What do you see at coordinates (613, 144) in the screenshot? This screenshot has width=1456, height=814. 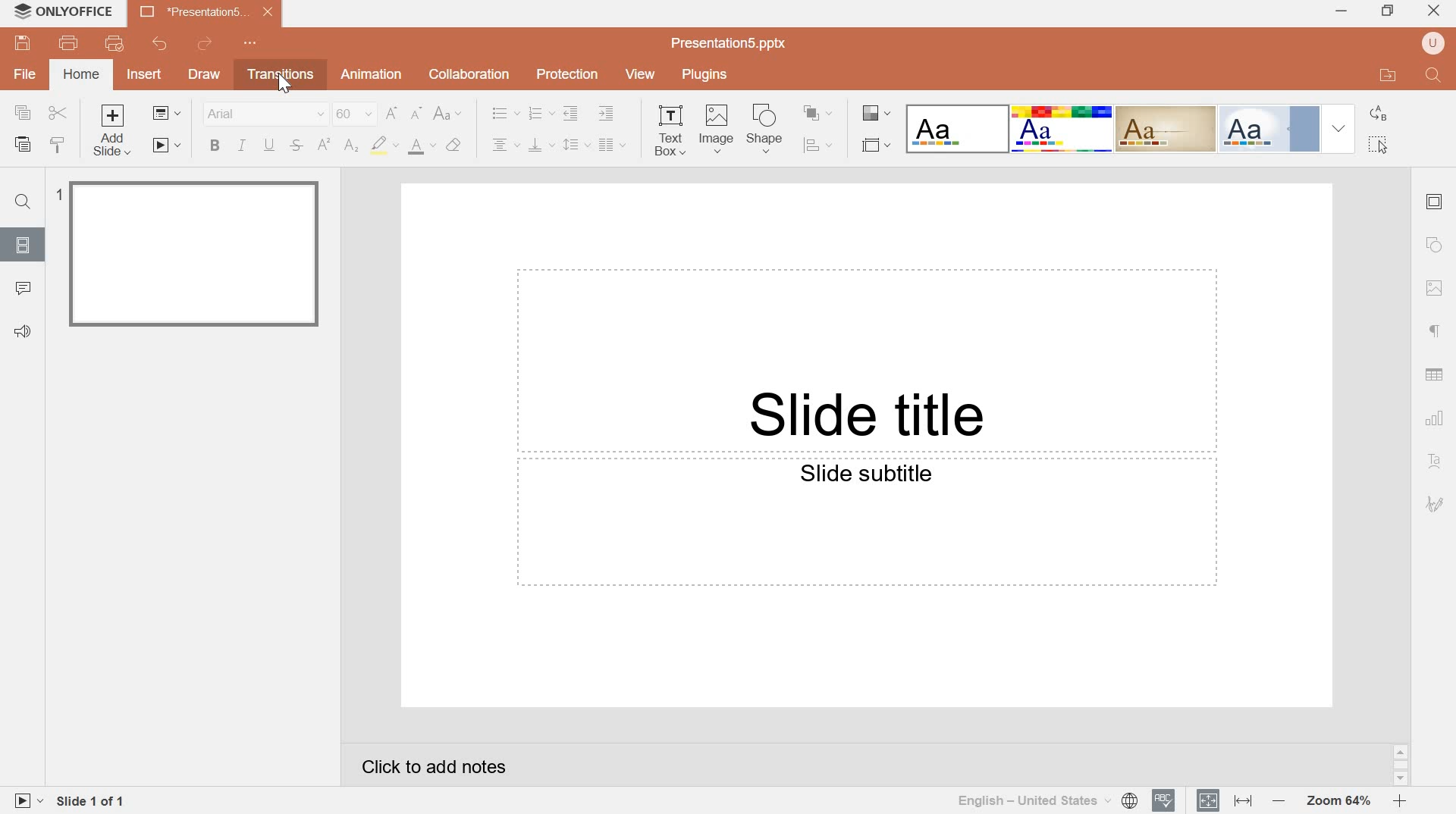 I see `insert columns` at bounding box center [613, 144].